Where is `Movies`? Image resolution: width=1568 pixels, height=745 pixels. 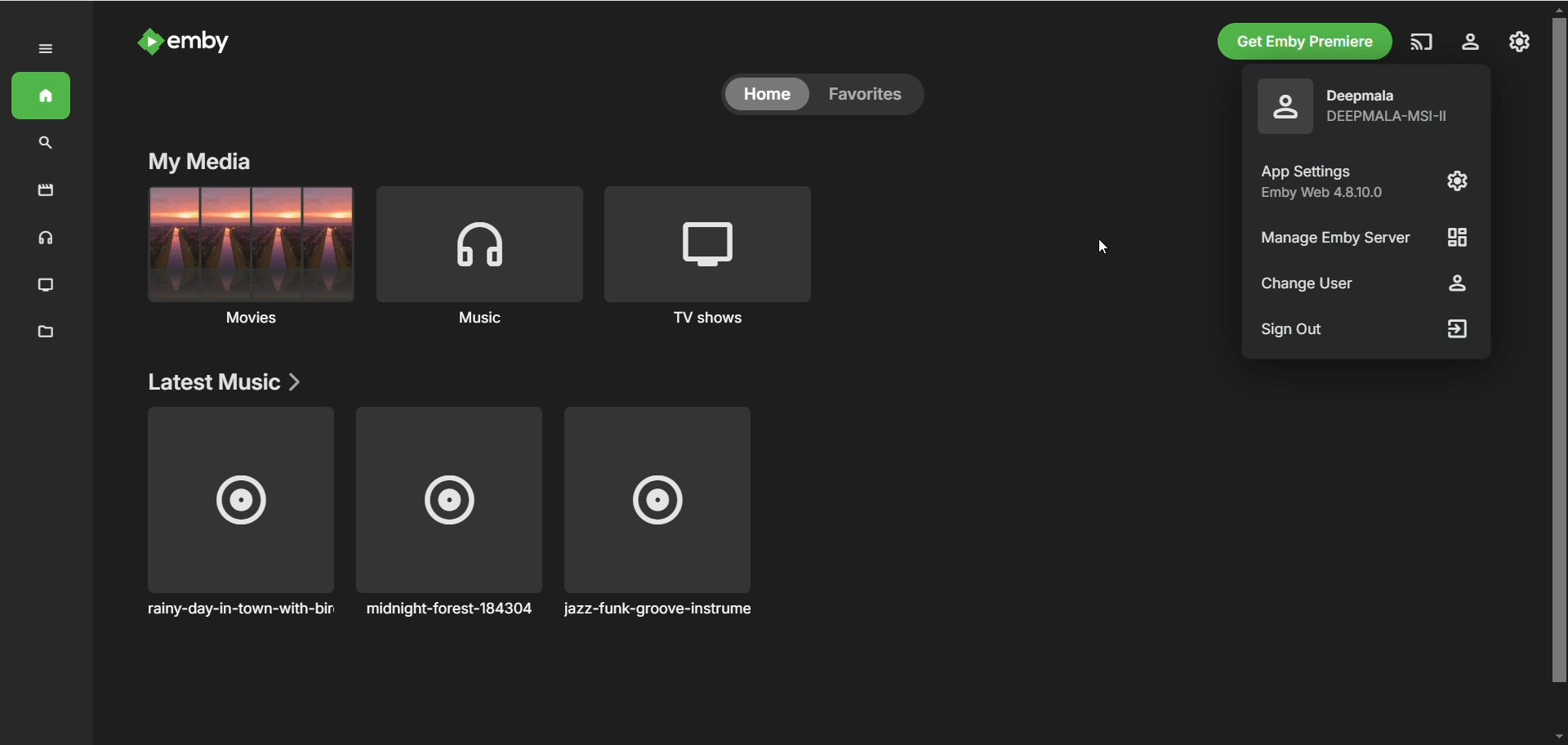 Movies is located at coordinates (253, 322).